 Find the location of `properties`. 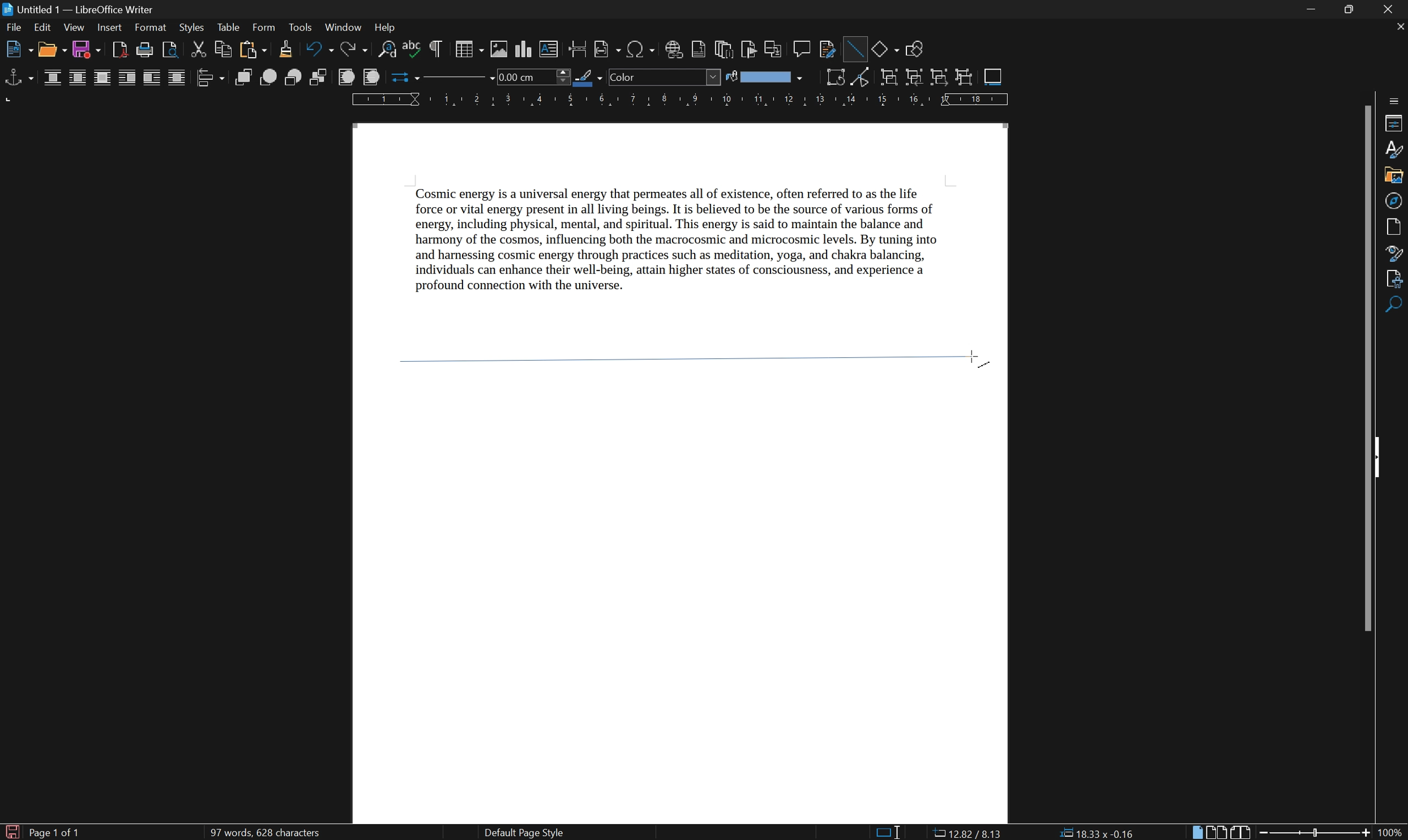

properties is located at coordinates (1394, 123).